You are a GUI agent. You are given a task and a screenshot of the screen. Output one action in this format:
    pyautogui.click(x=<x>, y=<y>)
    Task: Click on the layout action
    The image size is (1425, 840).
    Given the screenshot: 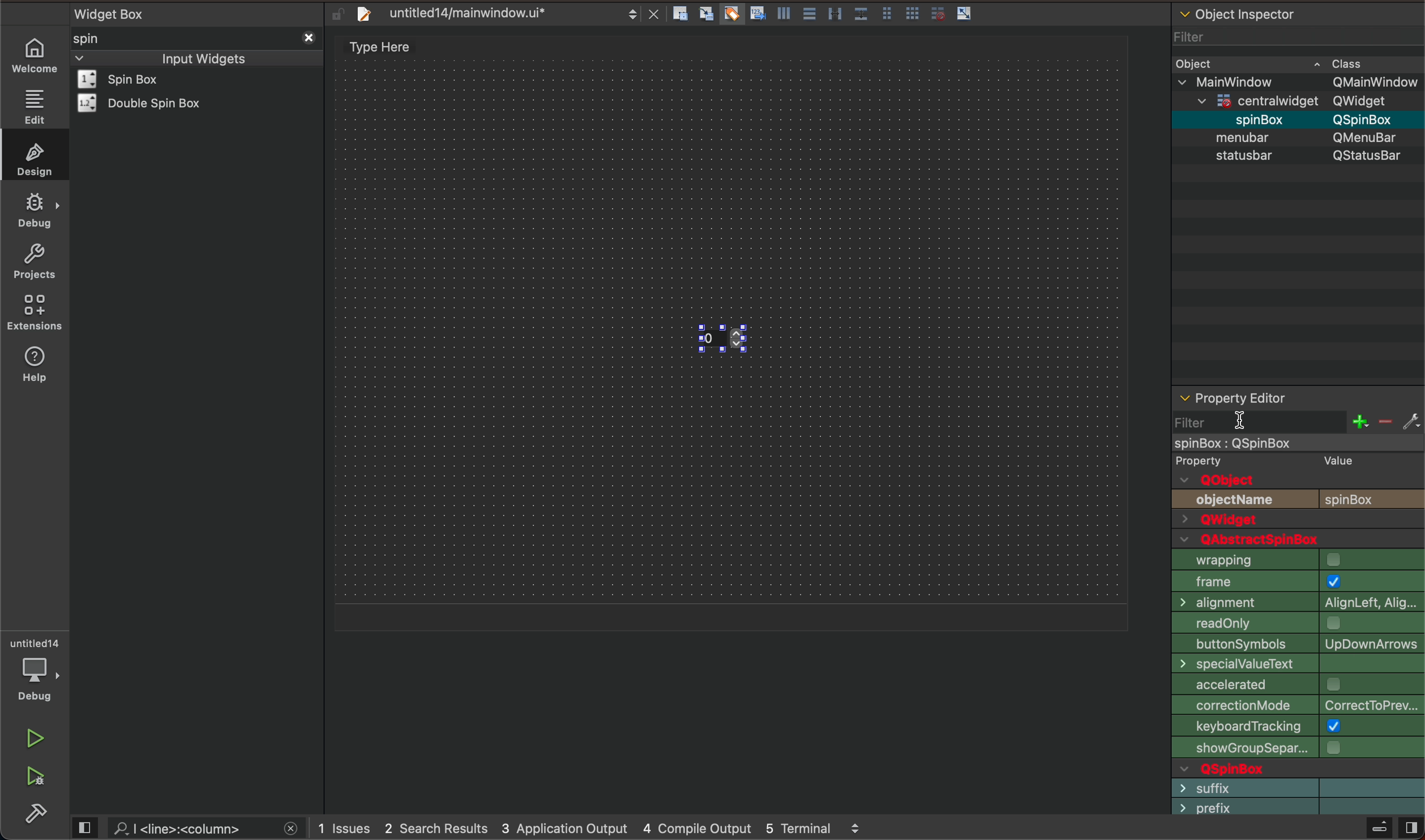 What is the action you would take?
    pyautogui.click(x=827, y=11)
    